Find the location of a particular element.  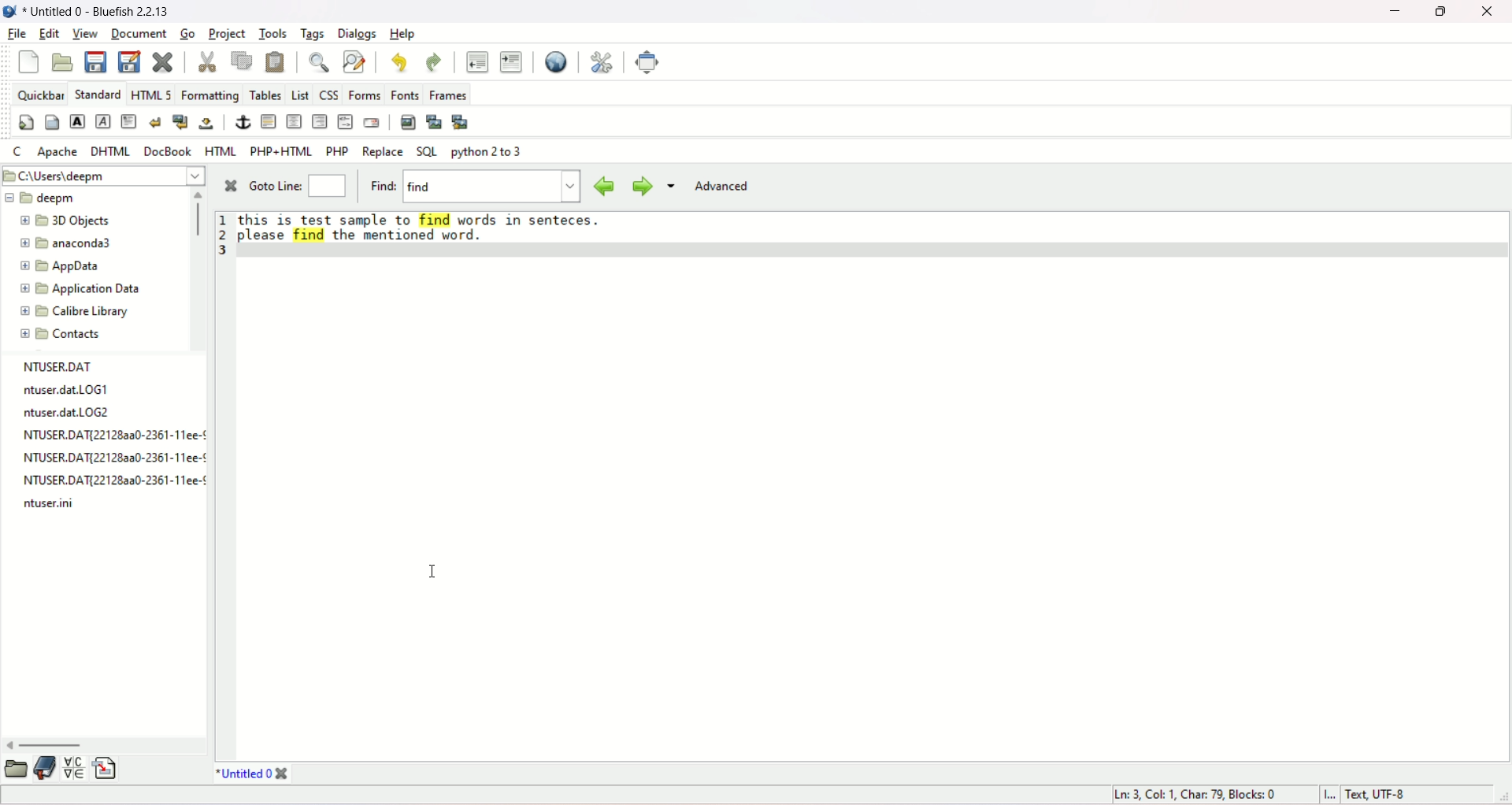

location is located at coordinates (102, 175).